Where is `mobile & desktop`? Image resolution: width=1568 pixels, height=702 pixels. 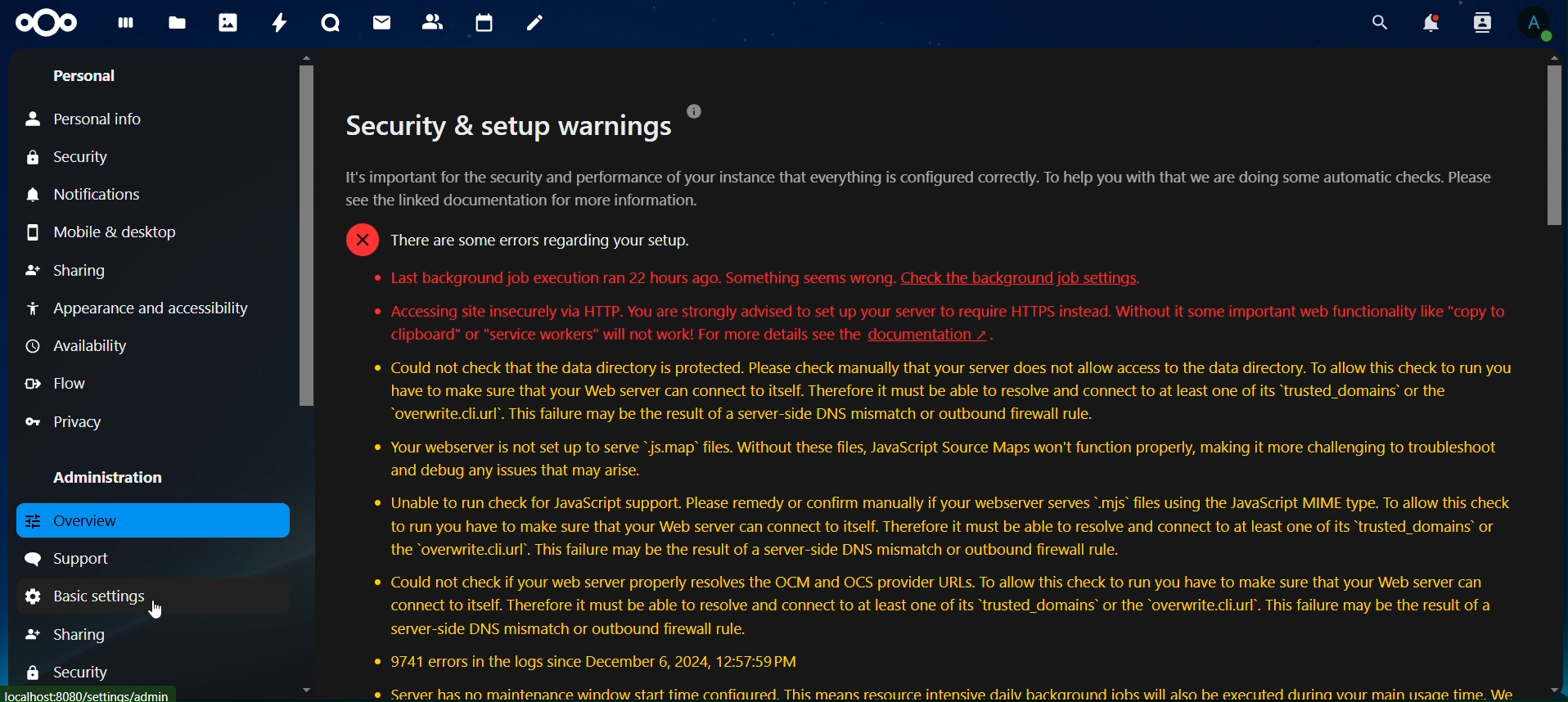 mobile & desktop is located at coordinates (125, 231).